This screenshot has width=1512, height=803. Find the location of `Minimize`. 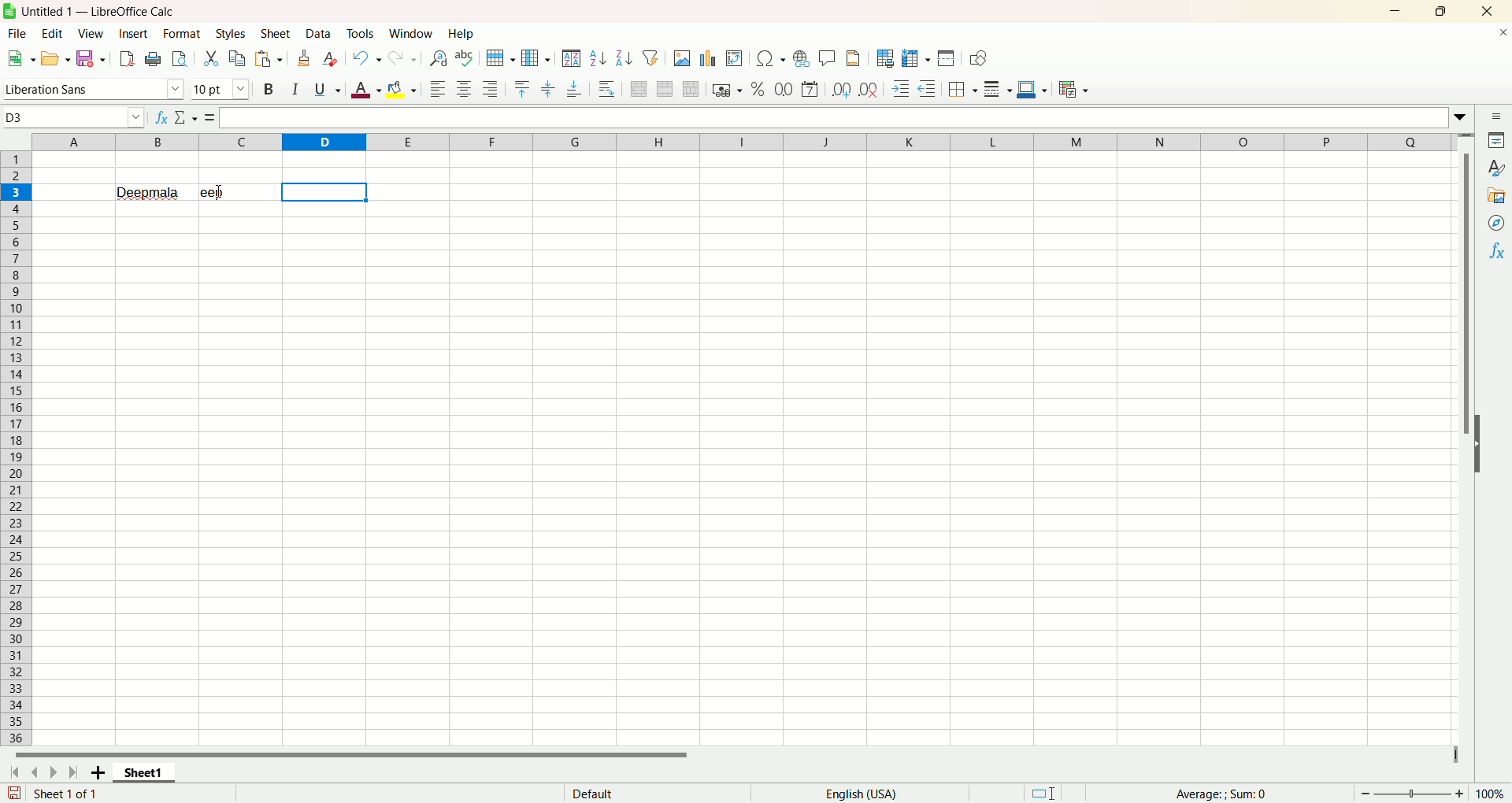

Minimize is located at coordinates (1402, 9).